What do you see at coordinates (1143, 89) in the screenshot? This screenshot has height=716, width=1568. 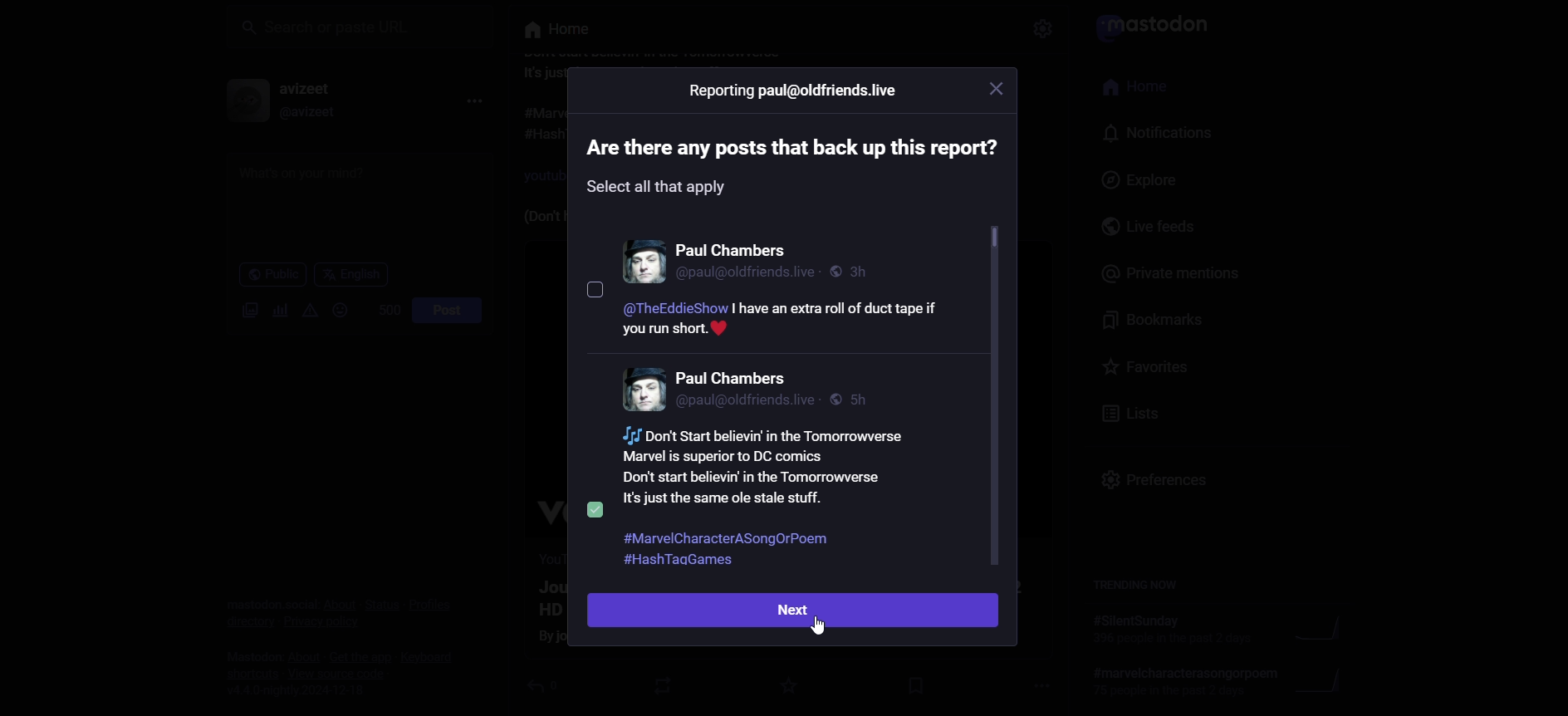 I see `home` at bounding box center [1143, 89].